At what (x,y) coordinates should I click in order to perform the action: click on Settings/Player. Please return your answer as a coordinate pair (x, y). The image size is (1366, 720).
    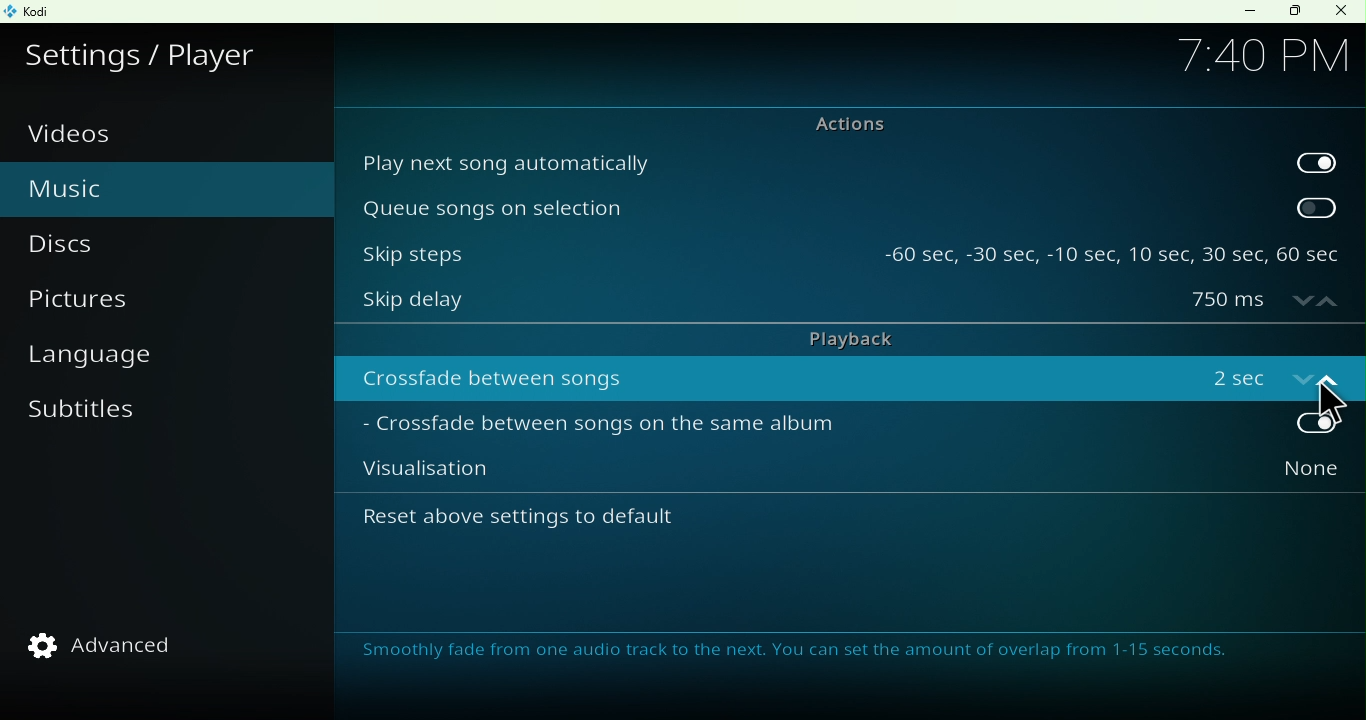
    Looking at the image, I should click on (147, 51).